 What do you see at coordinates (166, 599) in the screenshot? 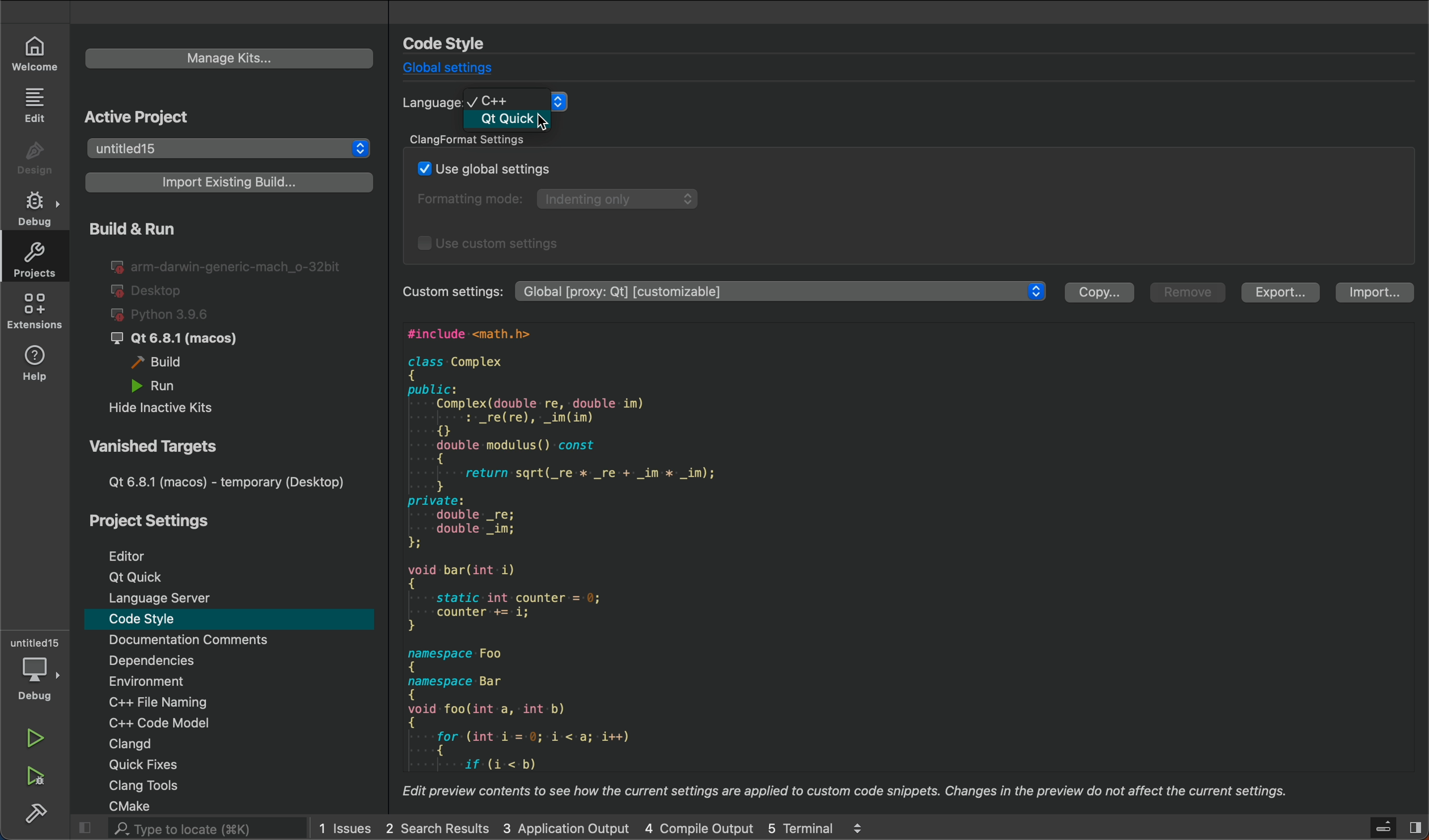
I see `language server` at bounding box center [166, 599].